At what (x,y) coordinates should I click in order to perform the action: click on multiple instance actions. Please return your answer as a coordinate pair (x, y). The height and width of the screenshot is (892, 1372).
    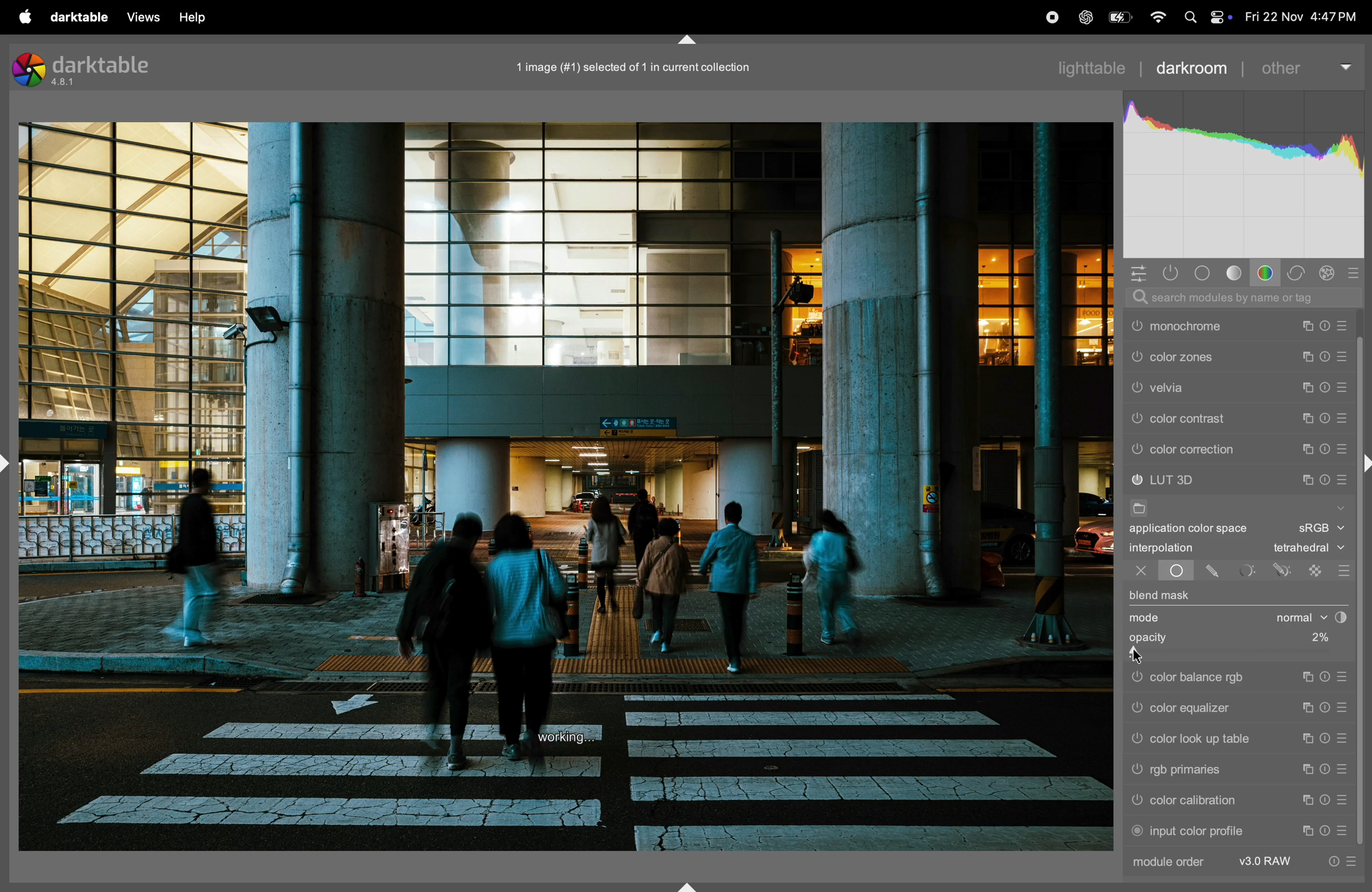
    Looking at the image, I should click on (1307, 829).